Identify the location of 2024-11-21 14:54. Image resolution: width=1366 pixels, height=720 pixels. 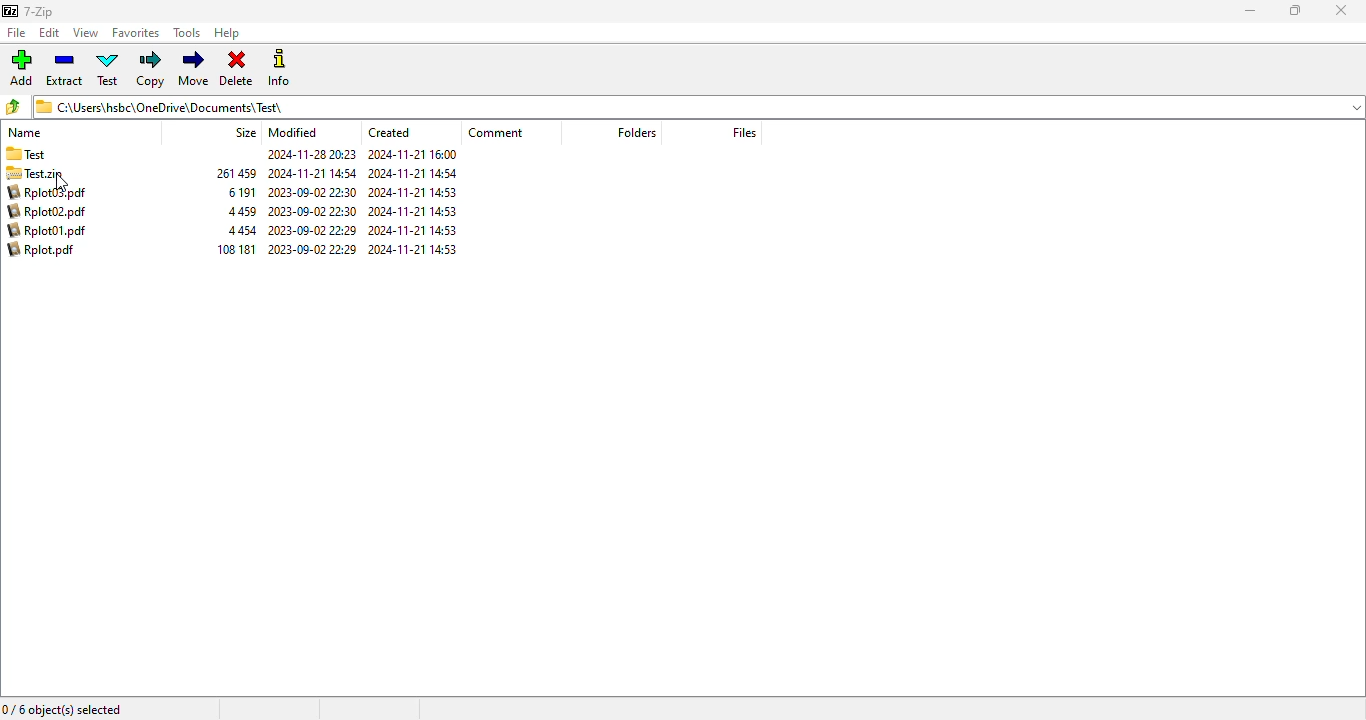
(416, 172).